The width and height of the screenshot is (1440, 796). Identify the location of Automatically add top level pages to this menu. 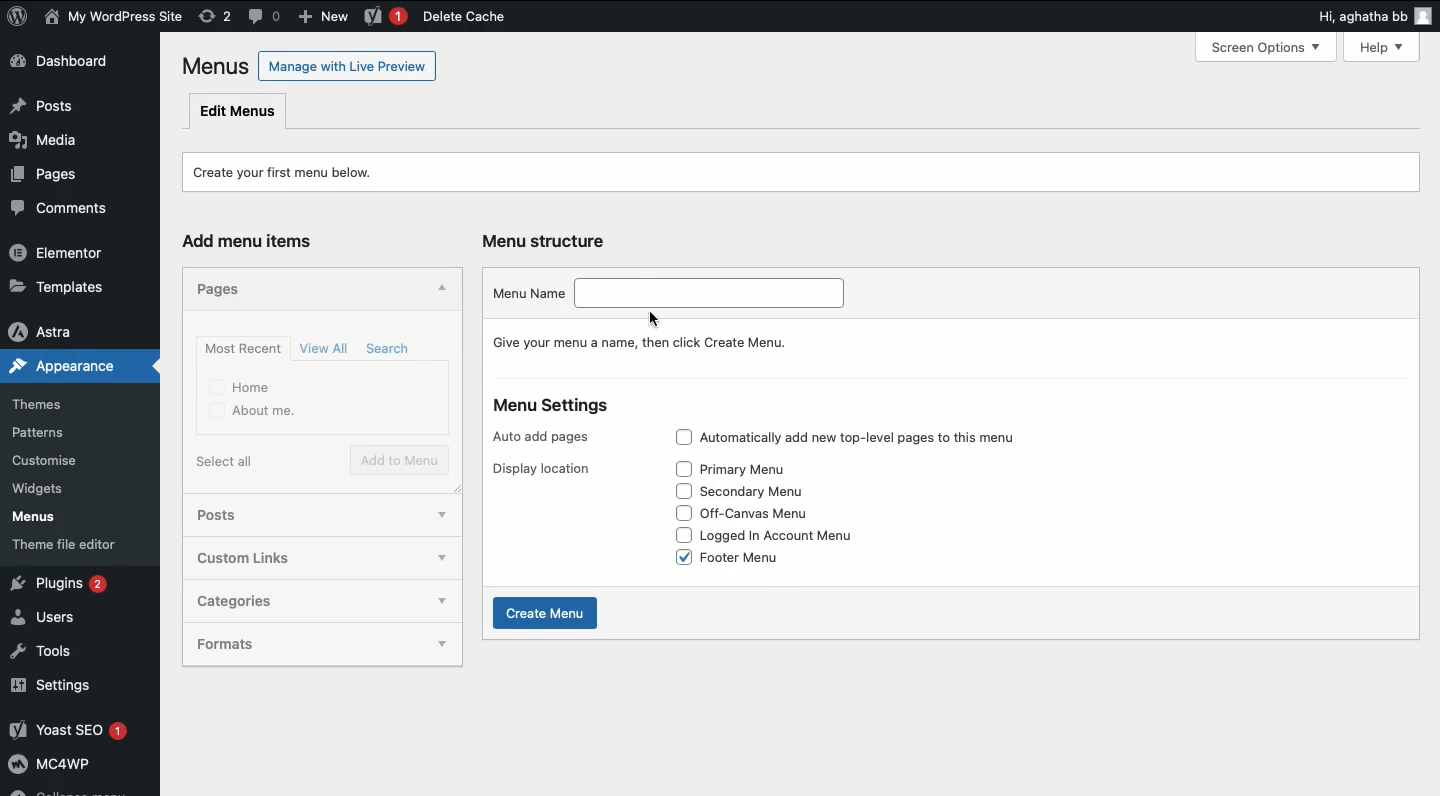
(883, 438).